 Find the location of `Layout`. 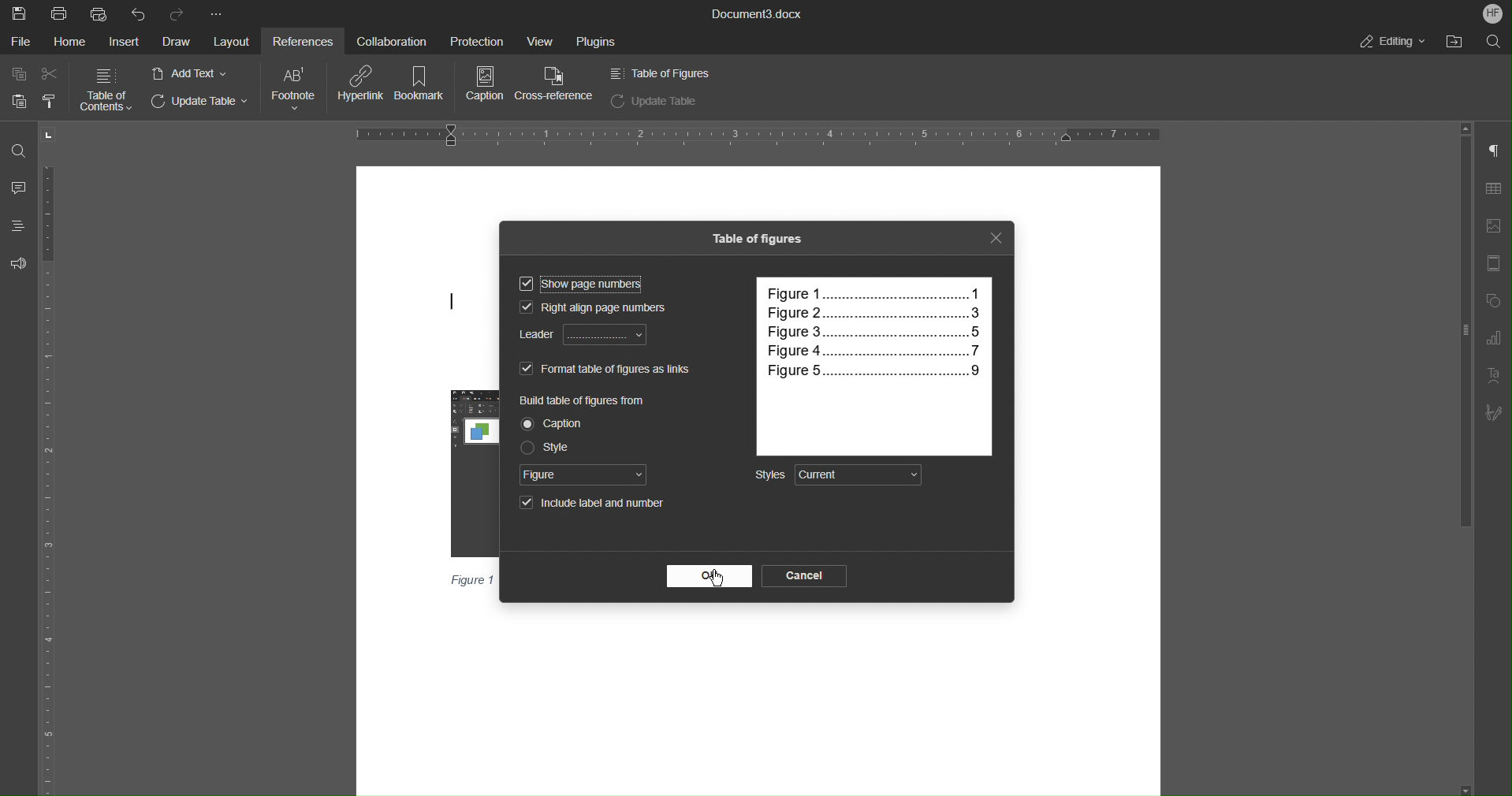

Layout is located at coordinates (231, 42).